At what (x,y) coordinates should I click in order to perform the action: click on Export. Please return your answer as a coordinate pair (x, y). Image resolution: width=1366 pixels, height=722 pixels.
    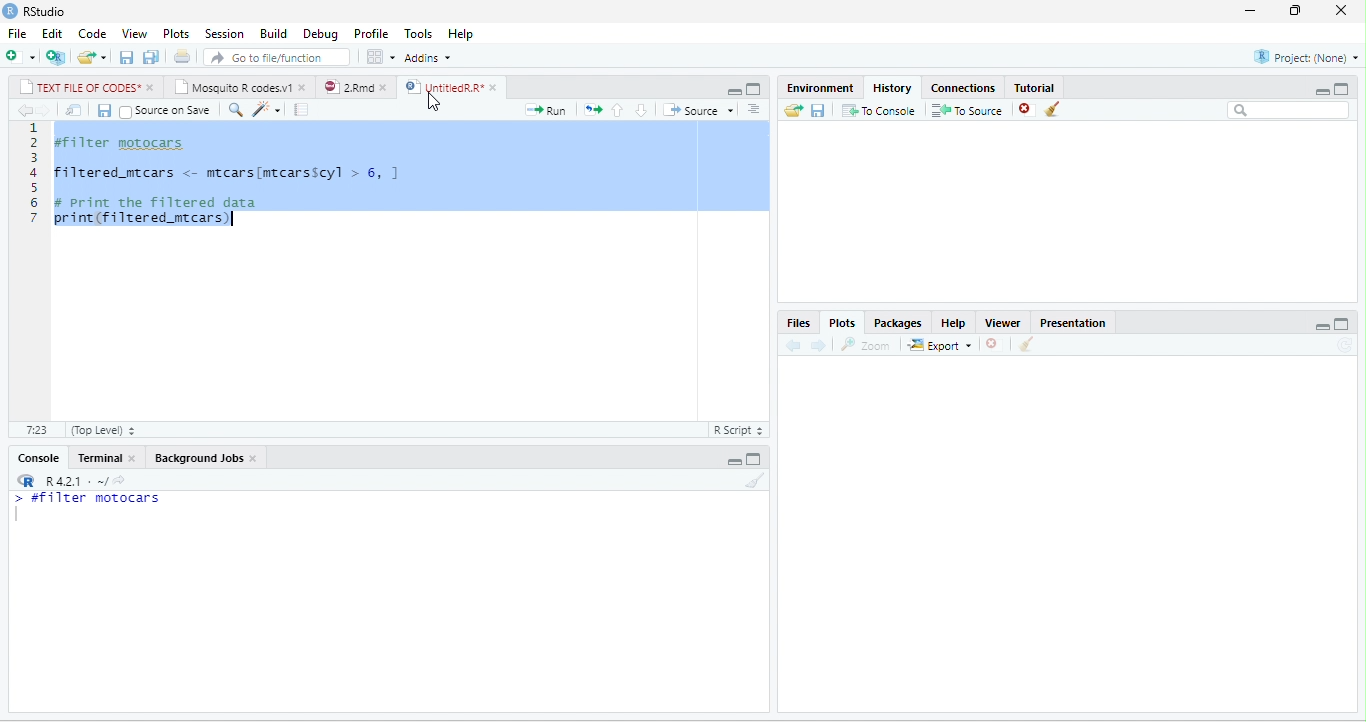
    Looking at the image, I should click on (939, 345).